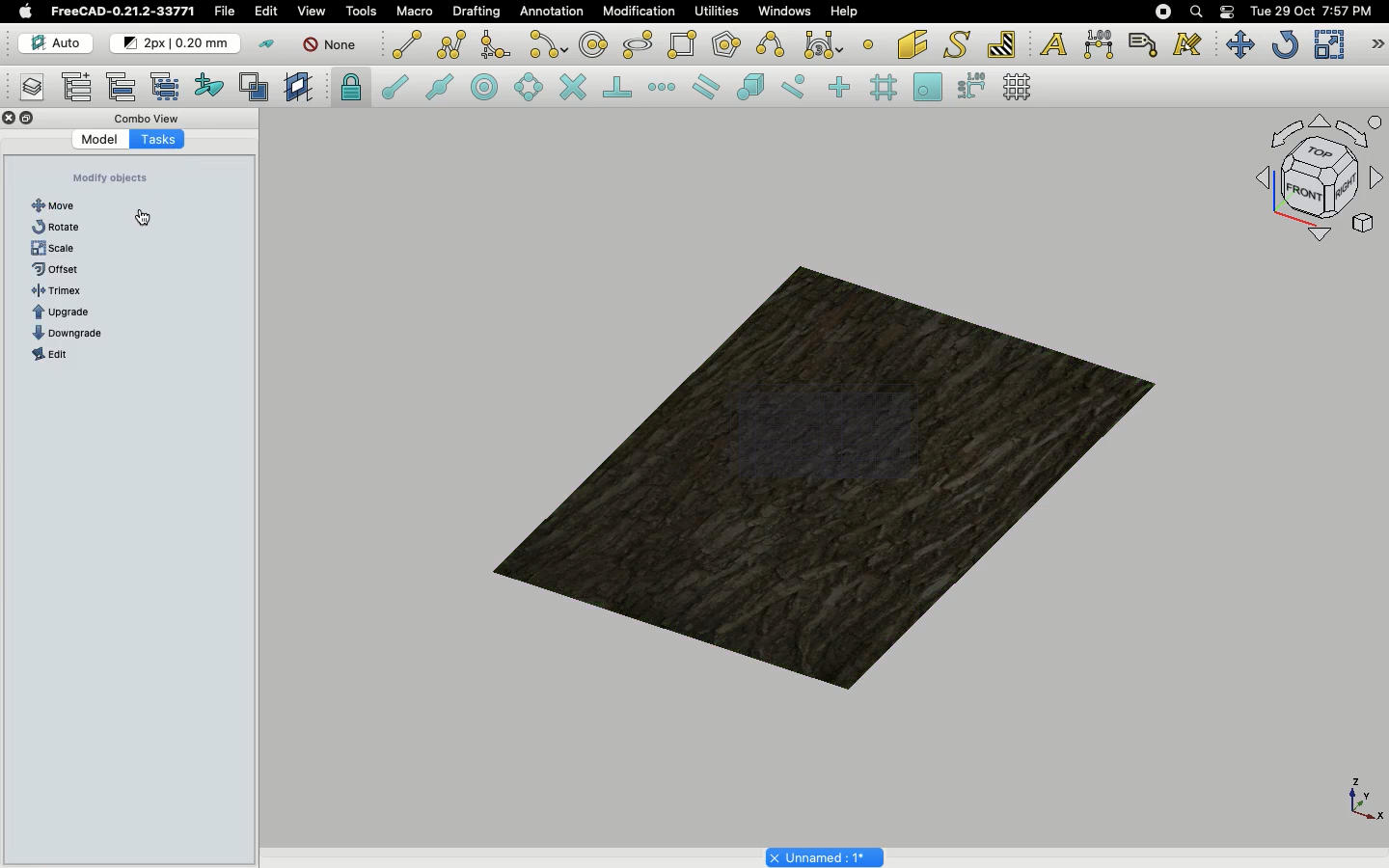  Describe the element at coordinates (352, 90) in the screenshot. I see `lock` at that location.